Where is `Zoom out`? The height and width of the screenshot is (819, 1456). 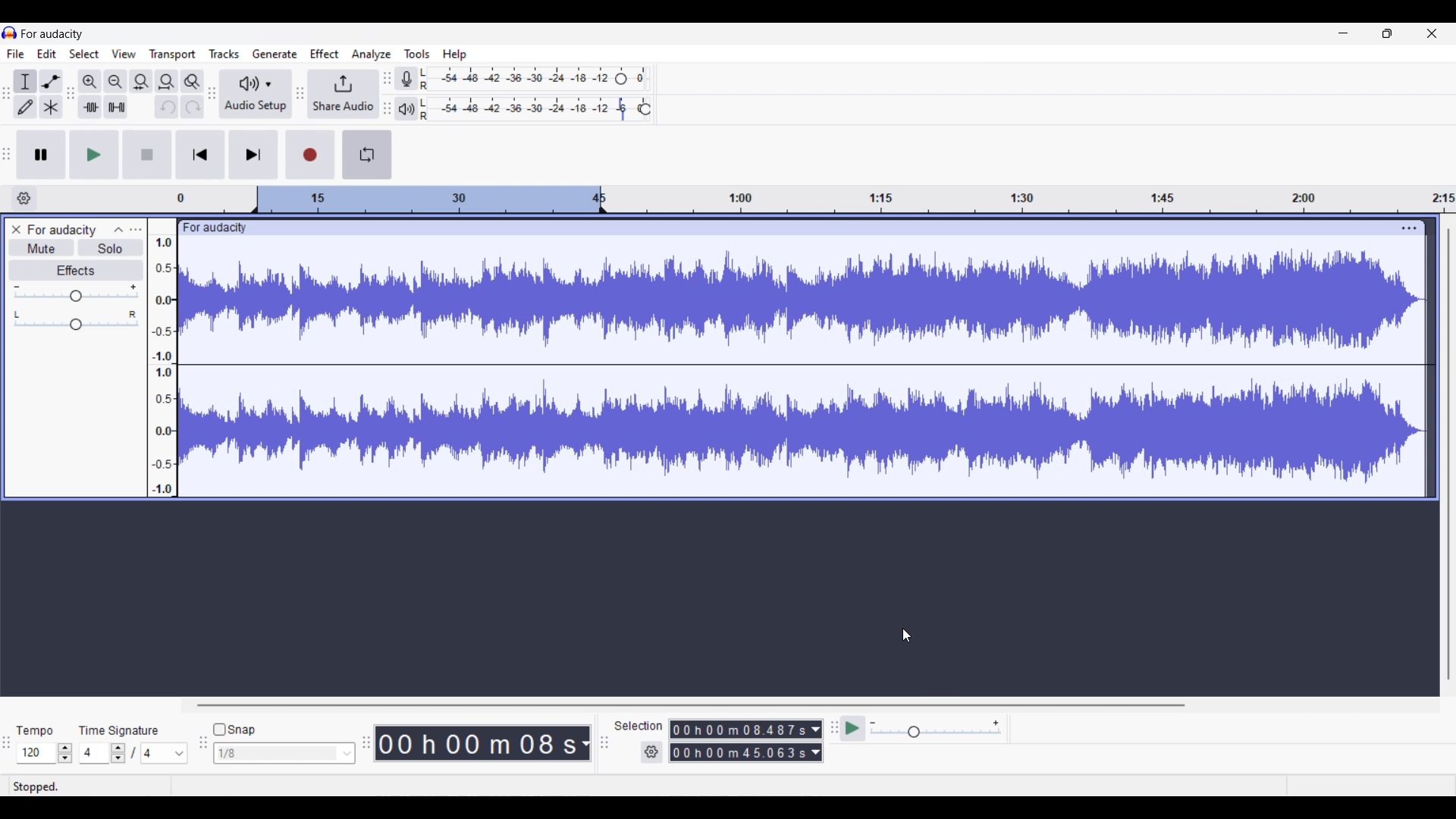 Zoom out is located at coordinates (115, 82).